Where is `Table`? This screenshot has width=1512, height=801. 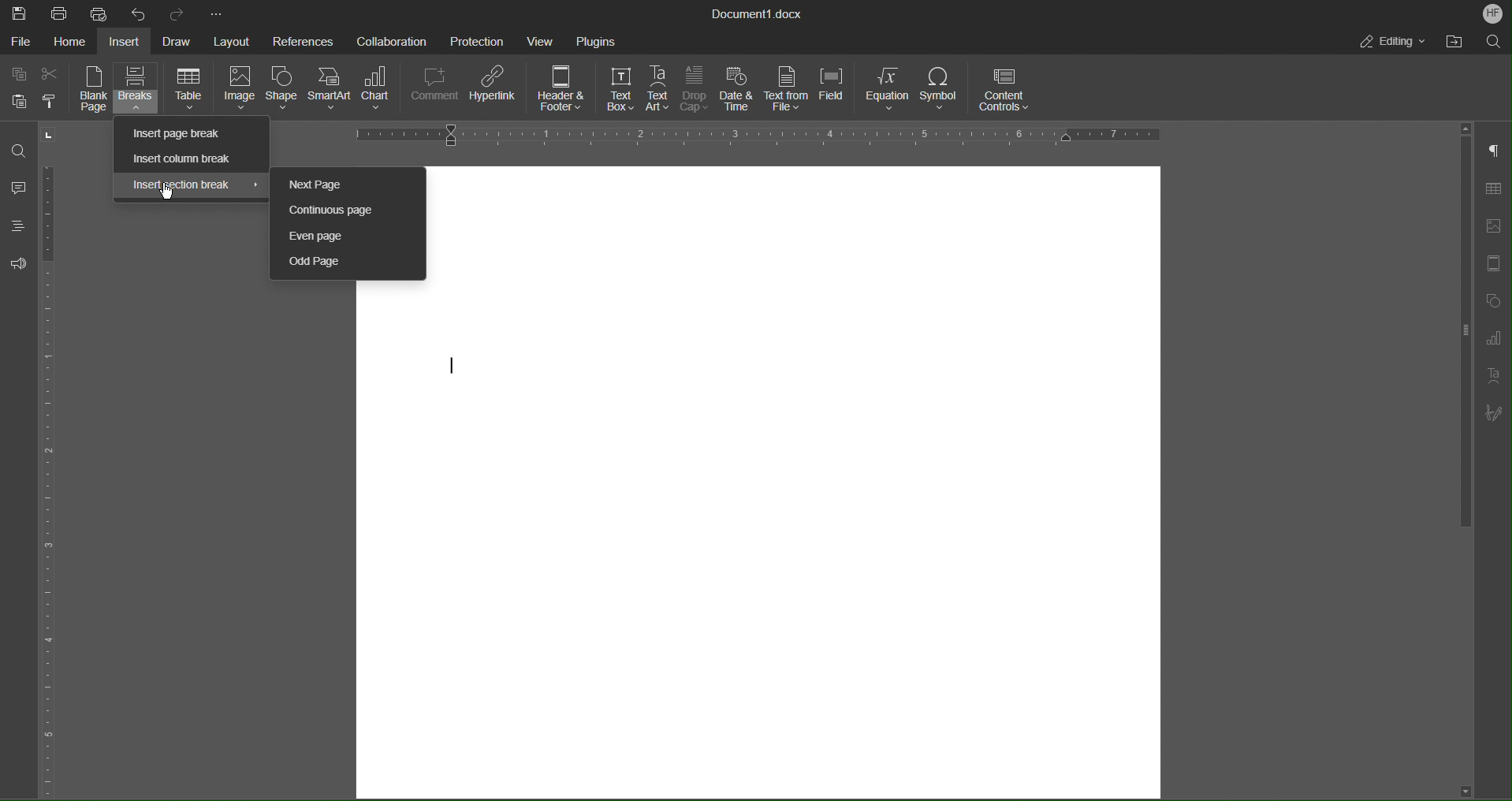
Table is located at coordinates (187, 90).